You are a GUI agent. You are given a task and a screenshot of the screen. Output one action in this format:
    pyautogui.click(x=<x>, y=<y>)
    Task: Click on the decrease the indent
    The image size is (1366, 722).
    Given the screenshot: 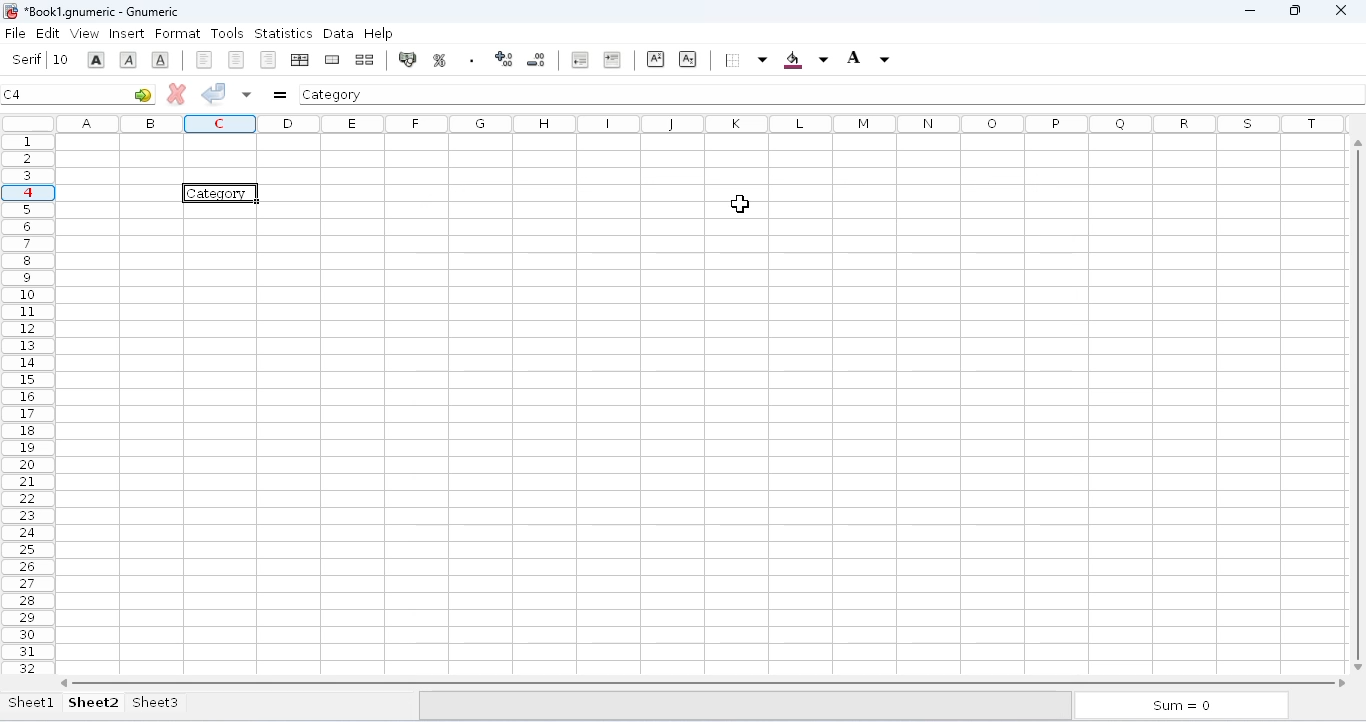 What is the action you would take?
    pyautogui.click(x=616, y=59)
    